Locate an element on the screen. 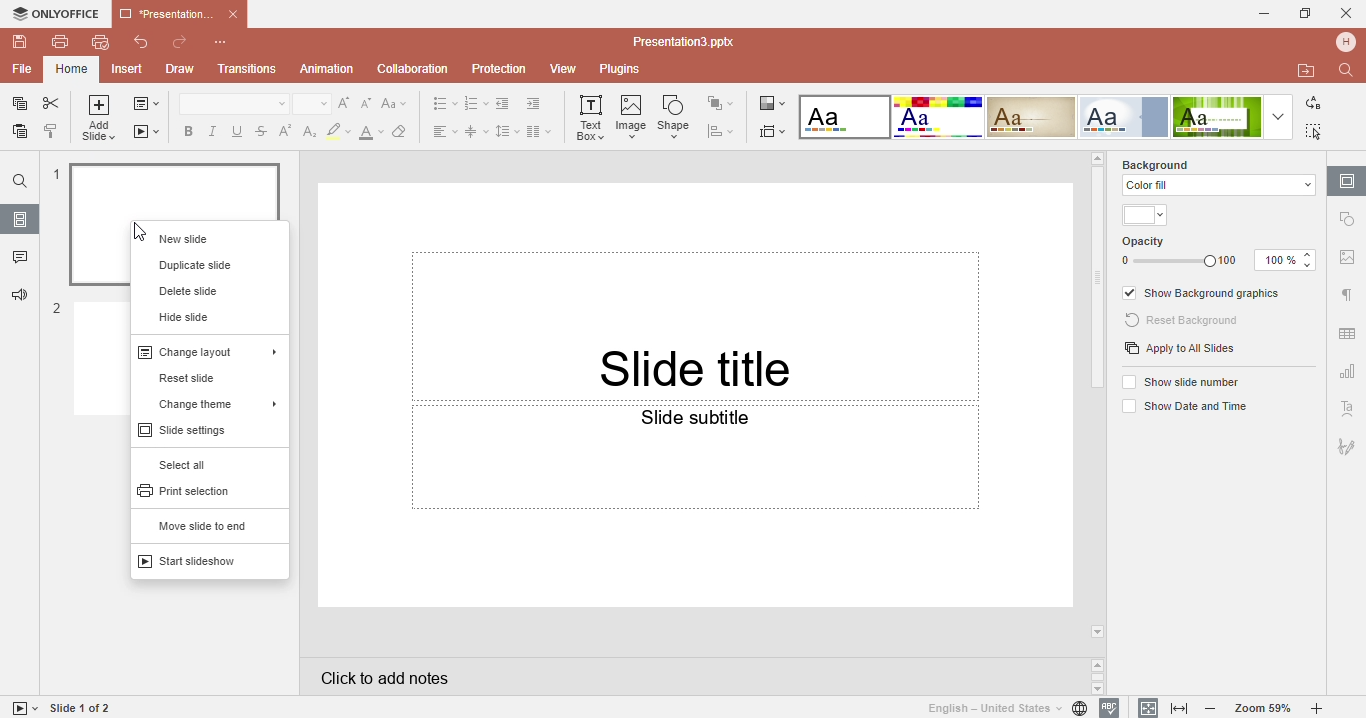 The width and height of the screenshot is (1366, 718). color fill is located at coordinates (1216, 185).